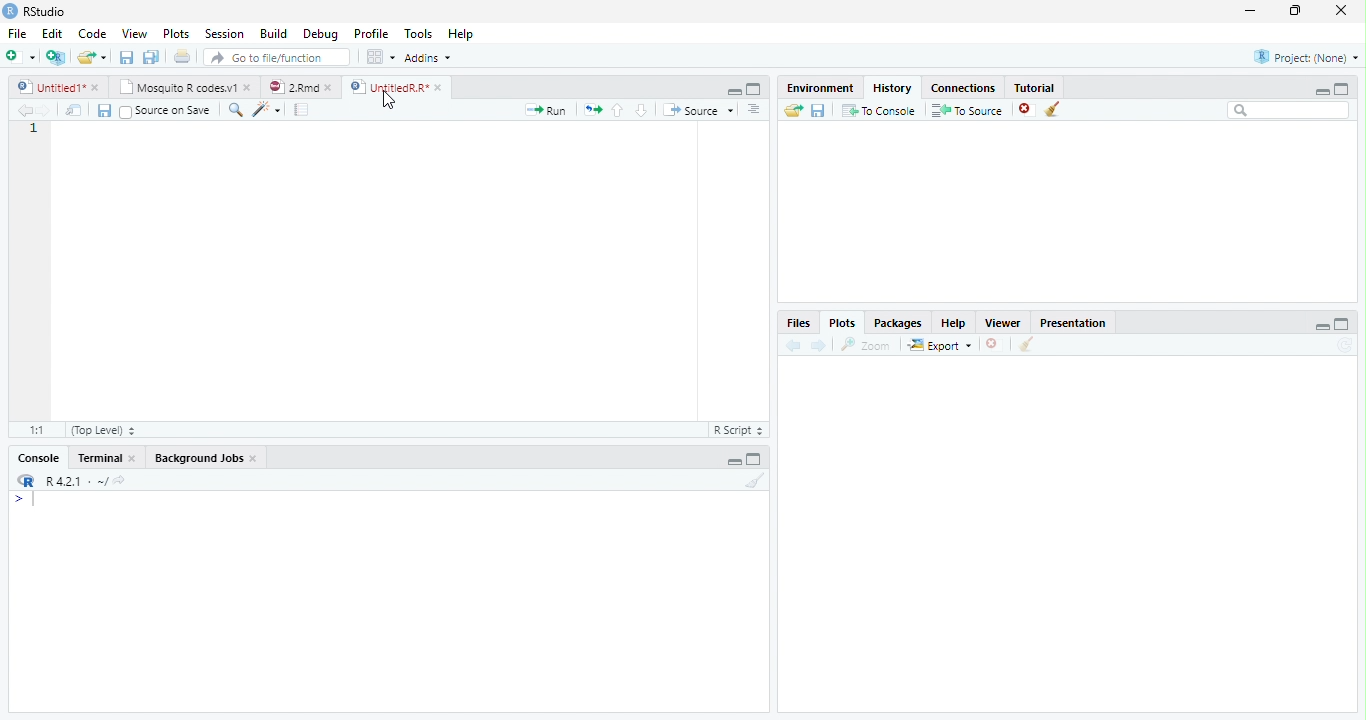  I want to click on Run, so click(543, 111).